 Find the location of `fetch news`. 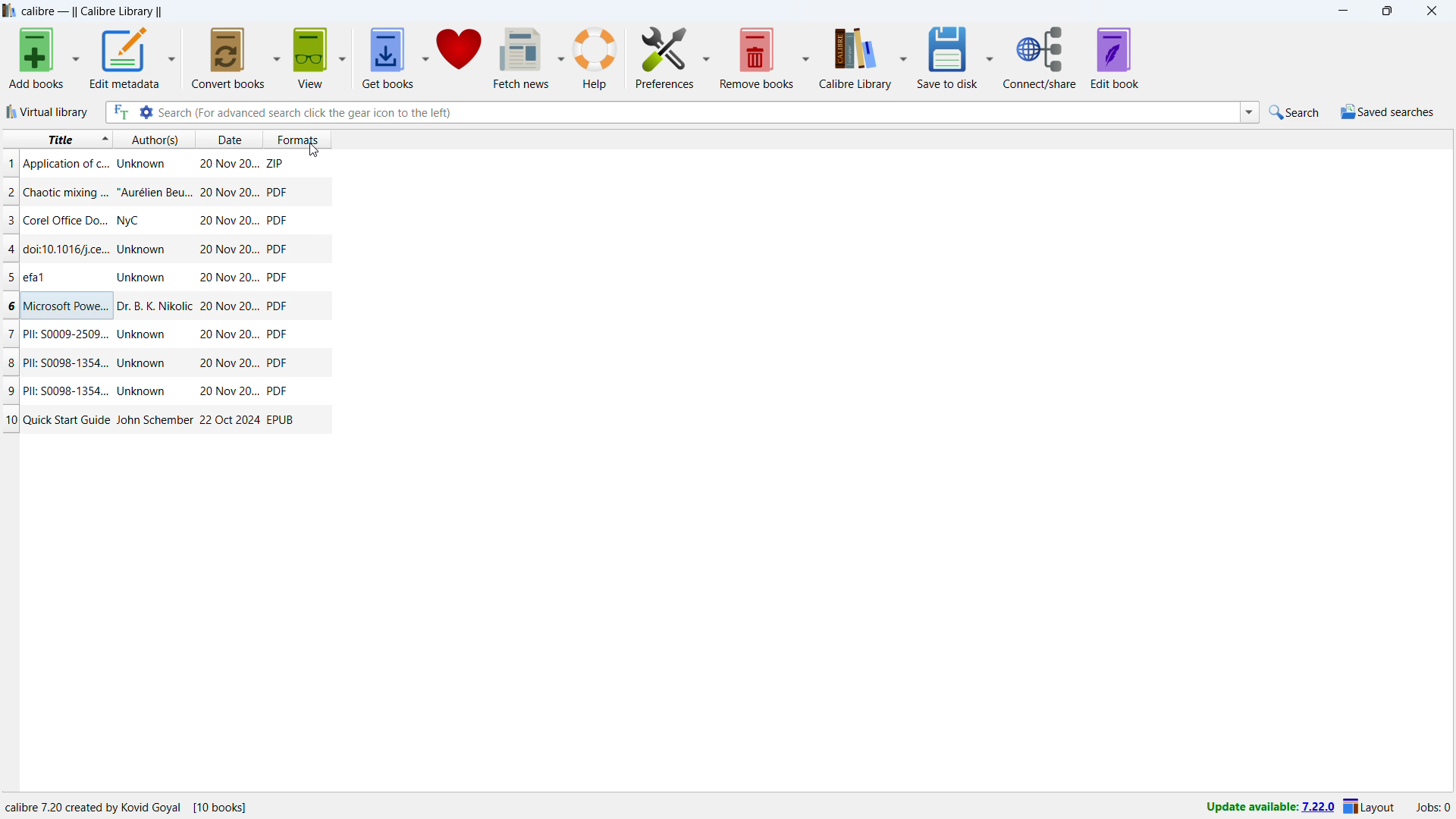

fetch news is located at coordinates (522, 58).